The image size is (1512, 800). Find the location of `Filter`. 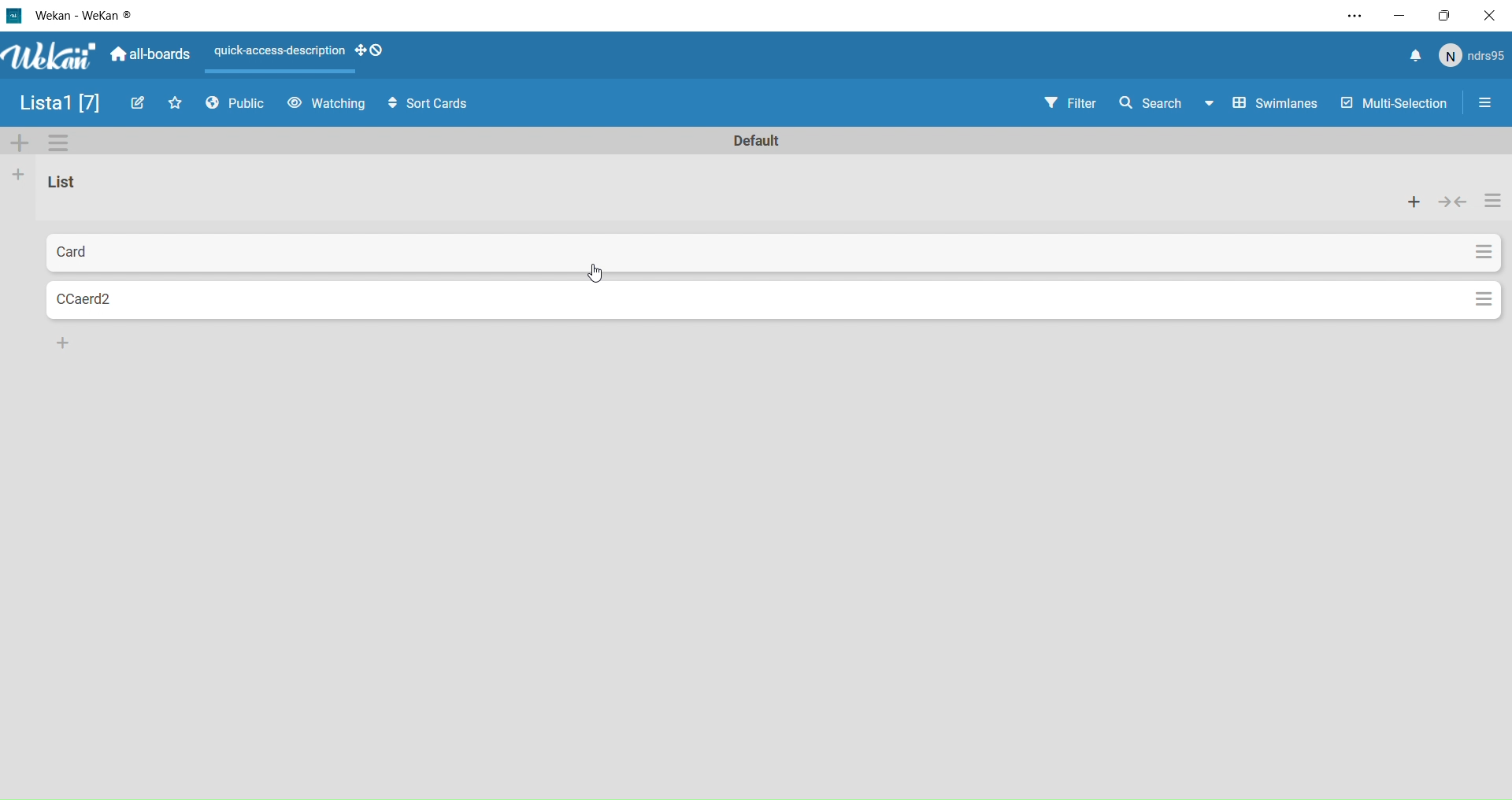

Filter is located at coordinates (1077, 104).